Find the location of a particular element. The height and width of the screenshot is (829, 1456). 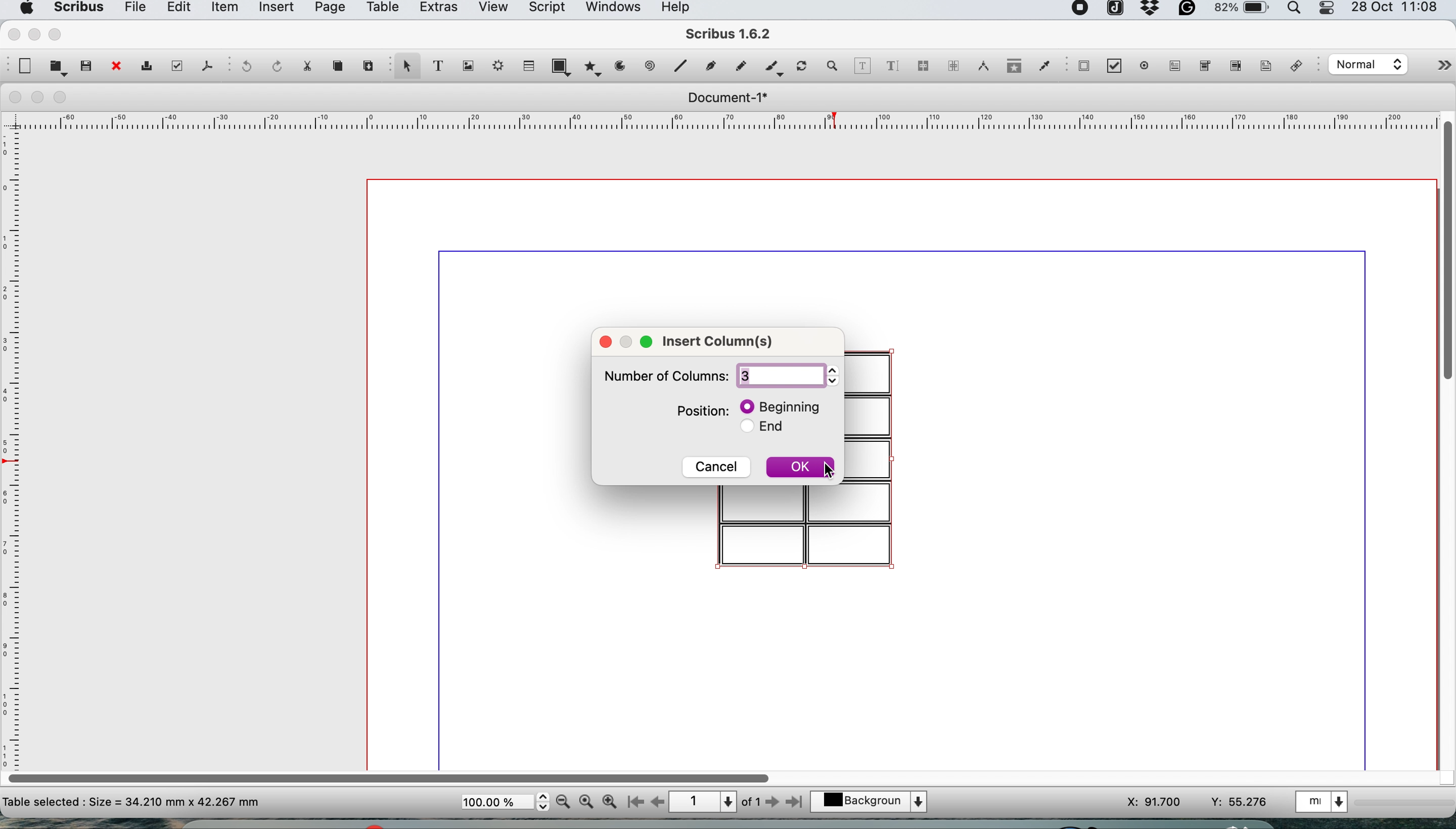

render frame is located at coordinates (495, 65).